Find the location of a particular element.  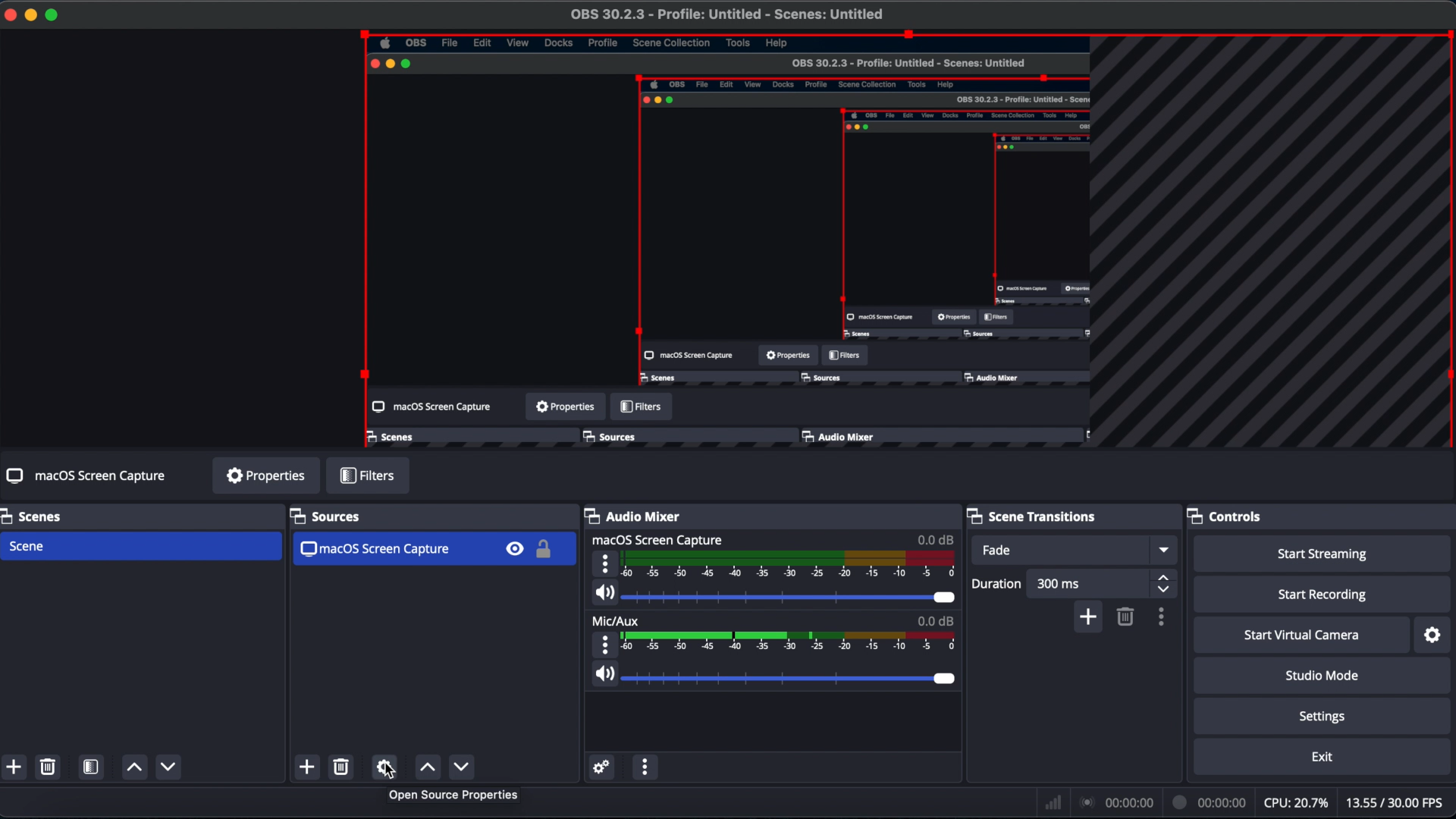

cursor is located at coordinates (391, 770).